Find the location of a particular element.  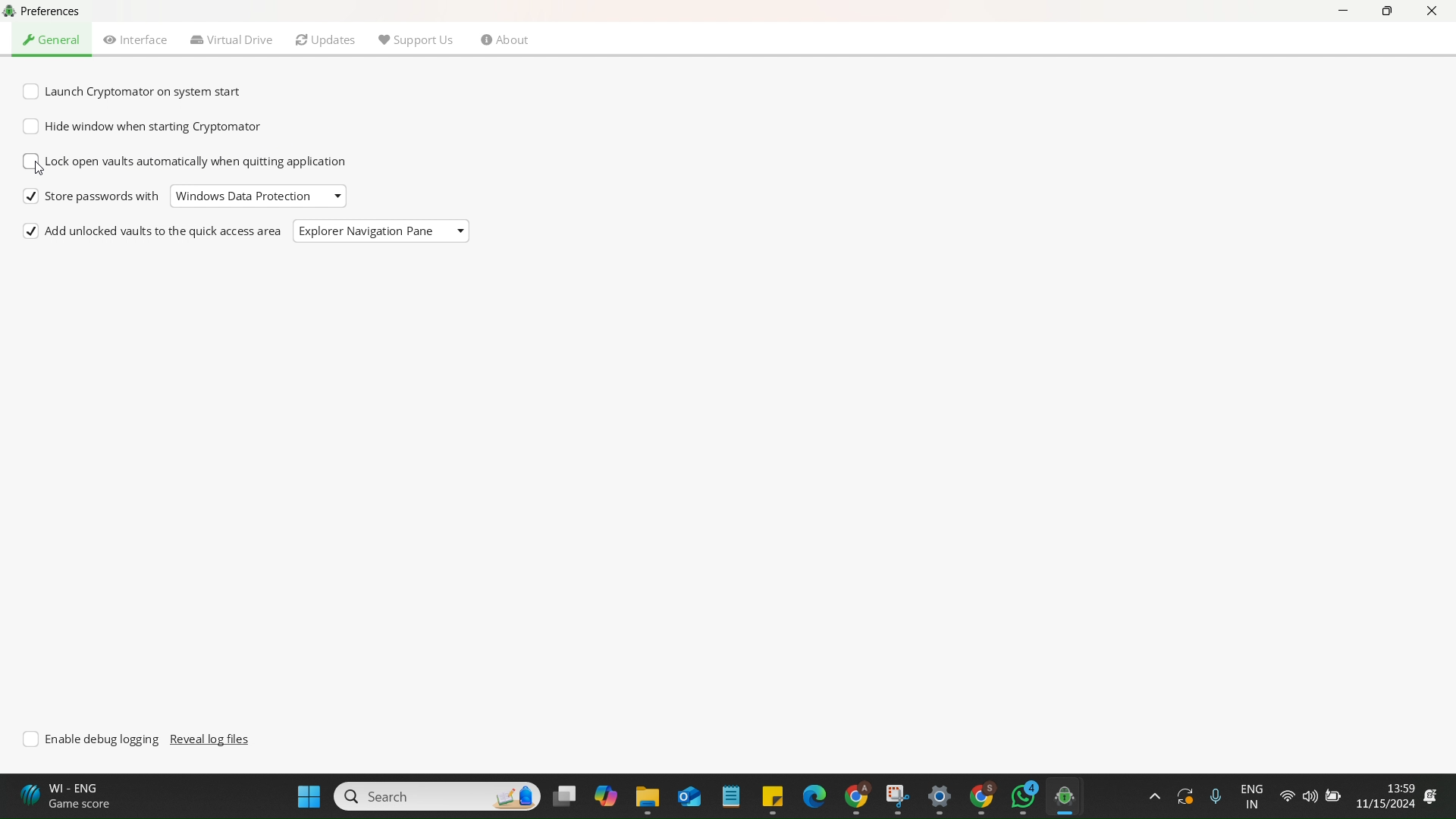

Minimize is located at coordinates (1346, 15).